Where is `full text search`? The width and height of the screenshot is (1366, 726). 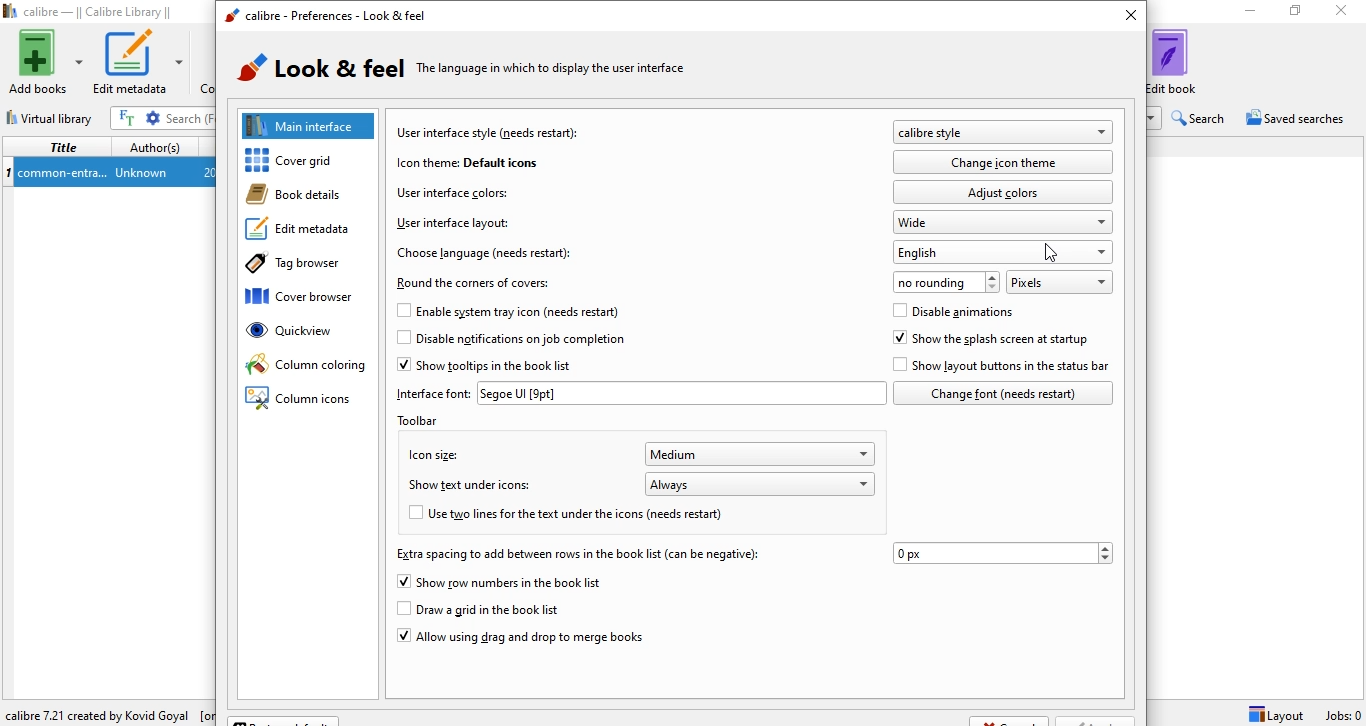 full text search is located at coordinates (129, 118).